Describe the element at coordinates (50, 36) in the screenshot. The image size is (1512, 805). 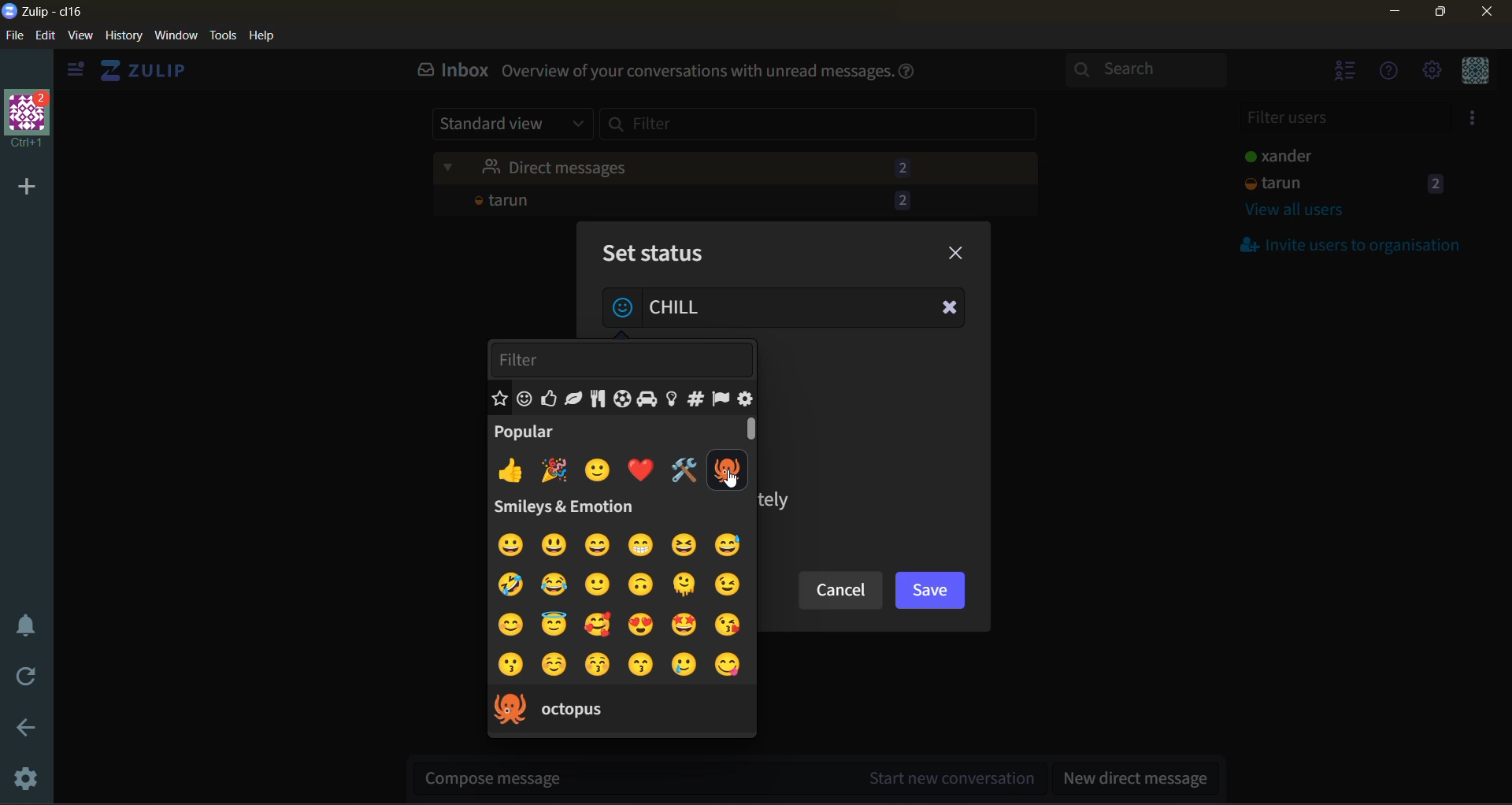
I see `edit` at that location.